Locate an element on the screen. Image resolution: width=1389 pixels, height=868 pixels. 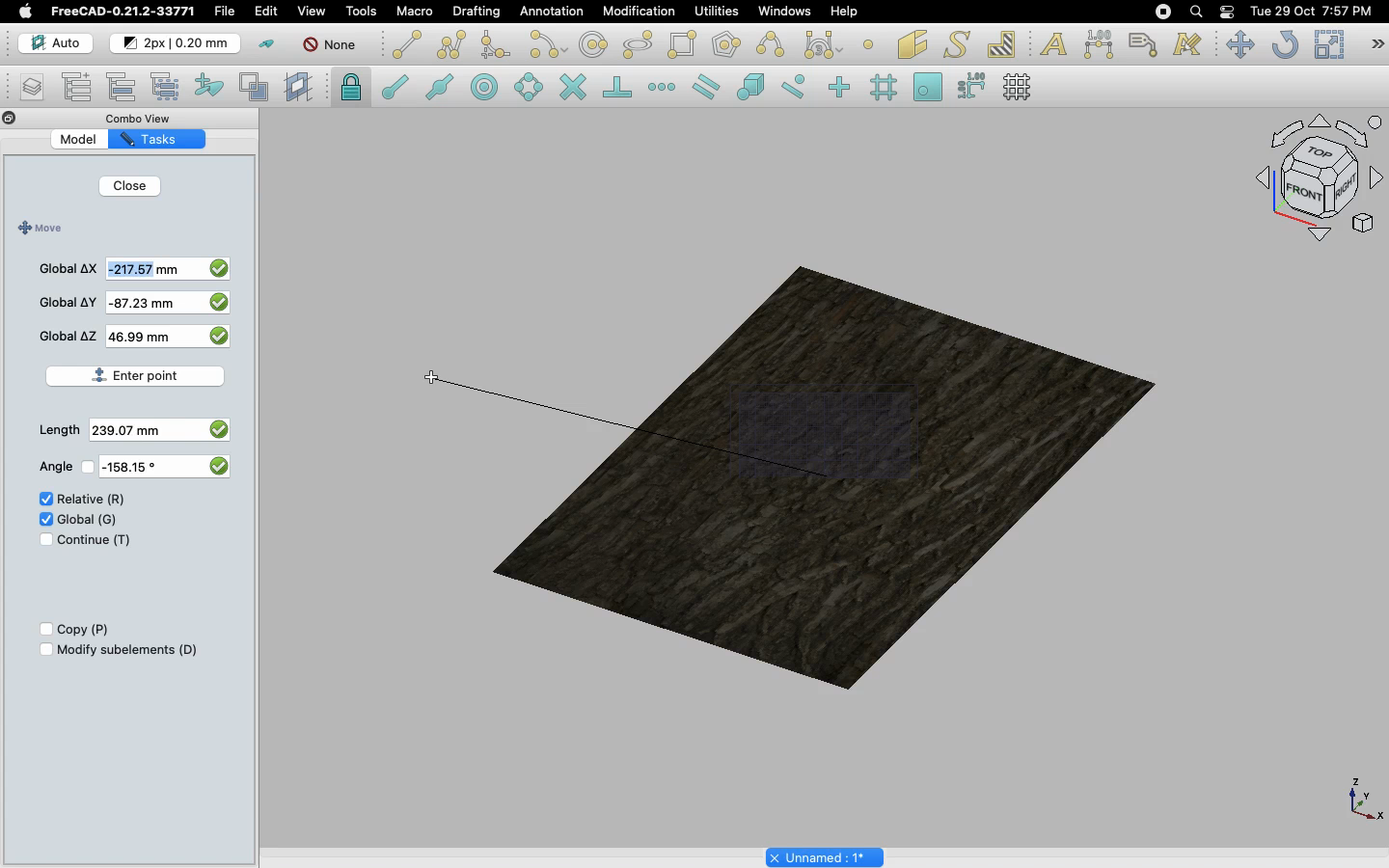
Snap ortho is located at coordinates (842, 89).